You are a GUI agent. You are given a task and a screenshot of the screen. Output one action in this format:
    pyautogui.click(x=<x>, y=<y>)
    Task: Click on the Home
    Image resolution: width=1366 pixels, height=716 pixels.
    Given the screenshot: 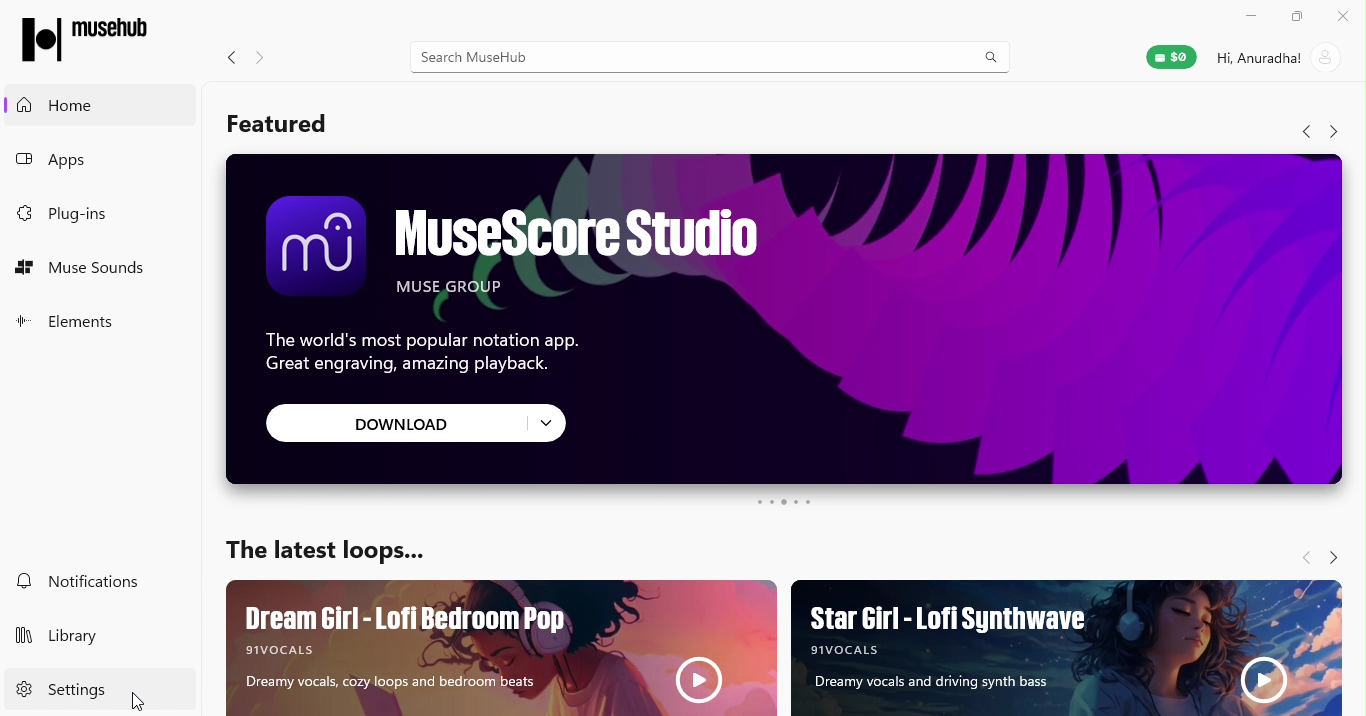 What is the action you would take?
    pyautogui.click(x=60, y=106)
    